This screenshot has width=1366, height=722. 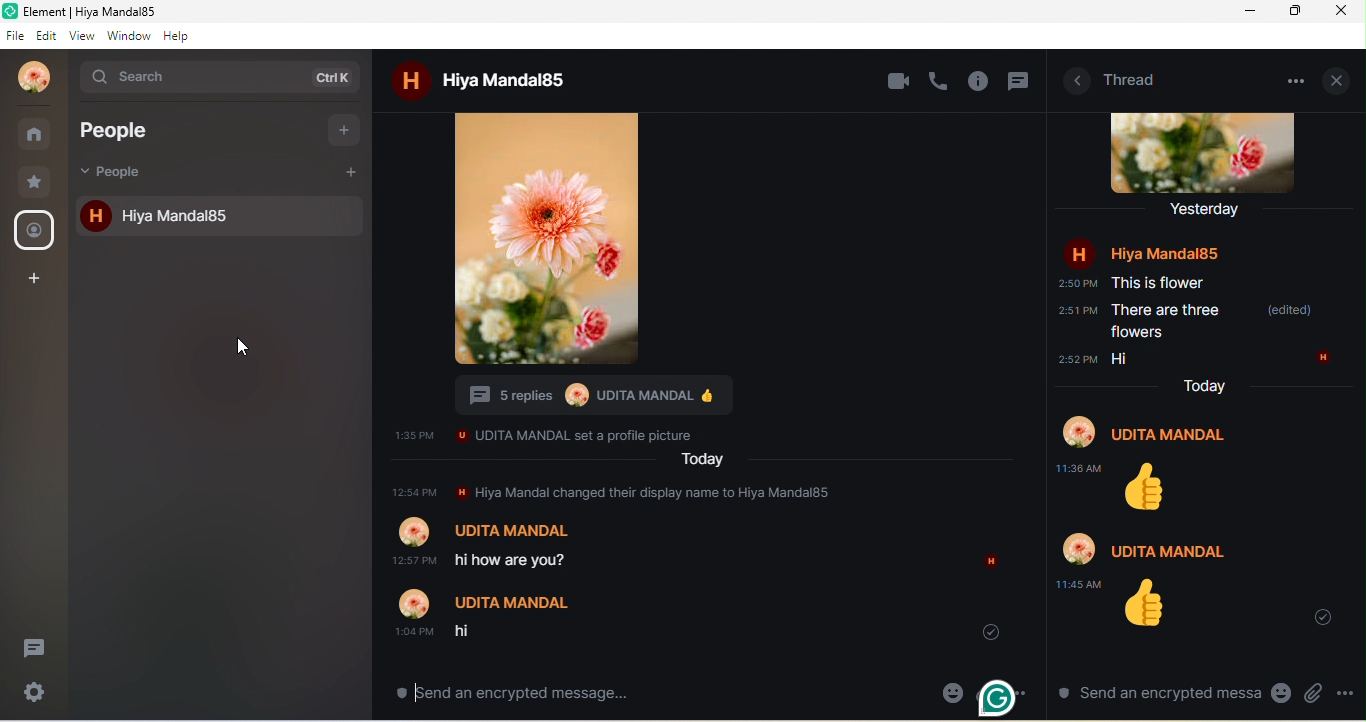 What do you see at coordinates (580, 434) in the screenshot?
I see `UDITA MANDAL set a profile picture` at bounding box center [580, 434].